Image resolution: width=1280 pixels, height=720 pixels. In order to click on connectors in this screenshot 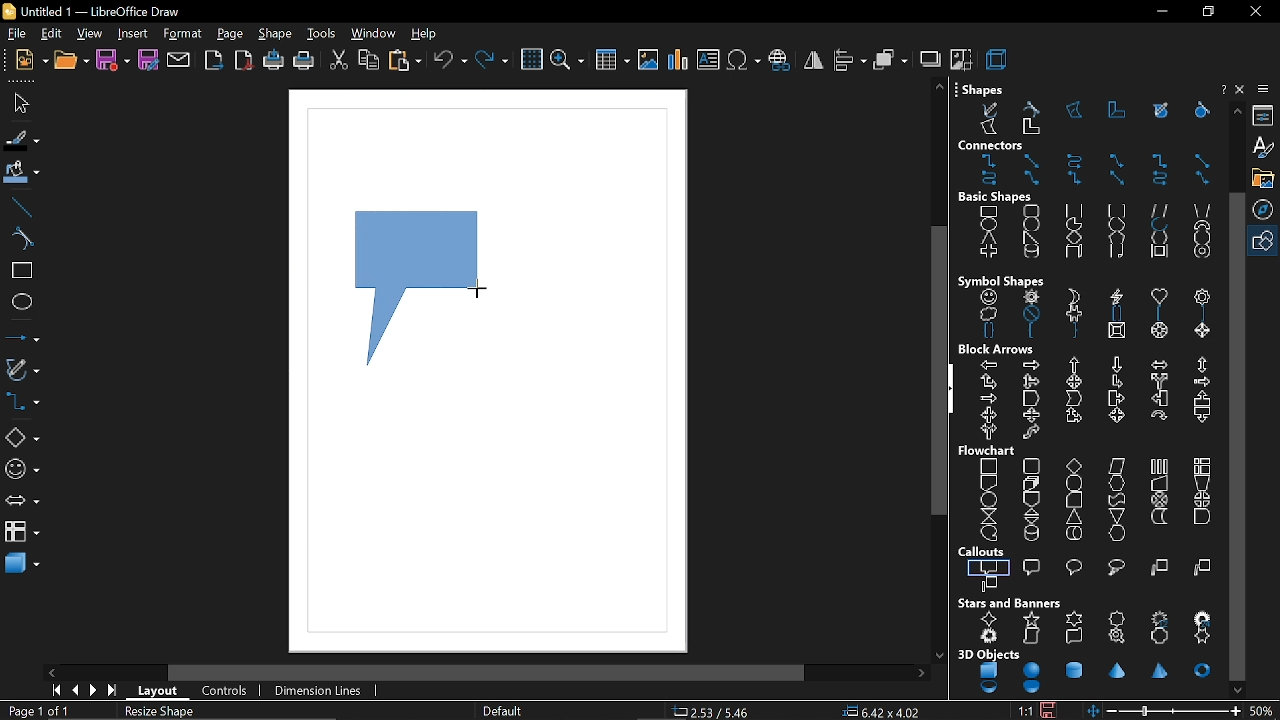, I will do `click(993, 145)`.